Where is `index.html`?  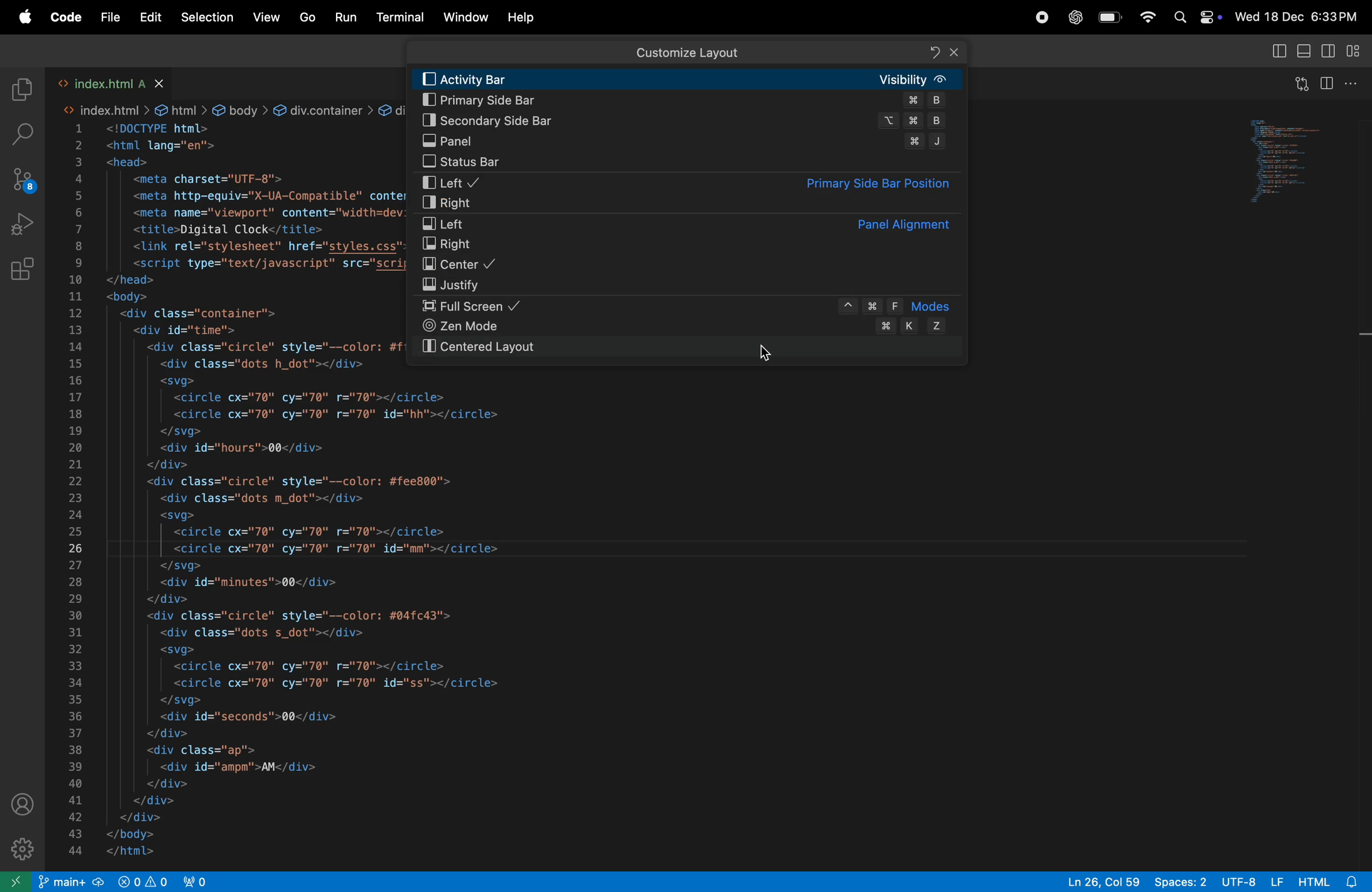
index.html is located at coordinates (114, 84).